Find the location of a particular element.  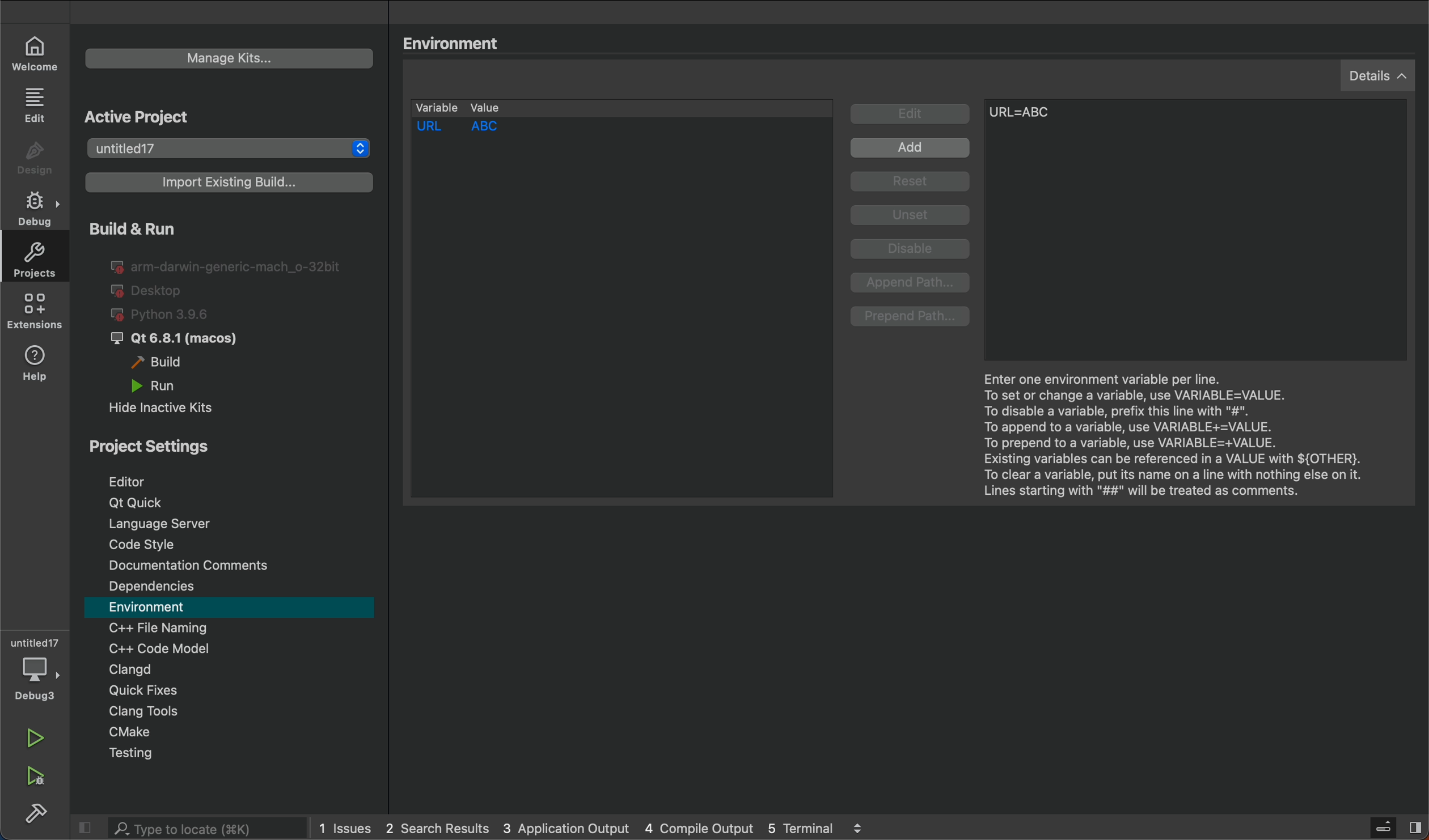

environment is located at coordinates (231, 608).